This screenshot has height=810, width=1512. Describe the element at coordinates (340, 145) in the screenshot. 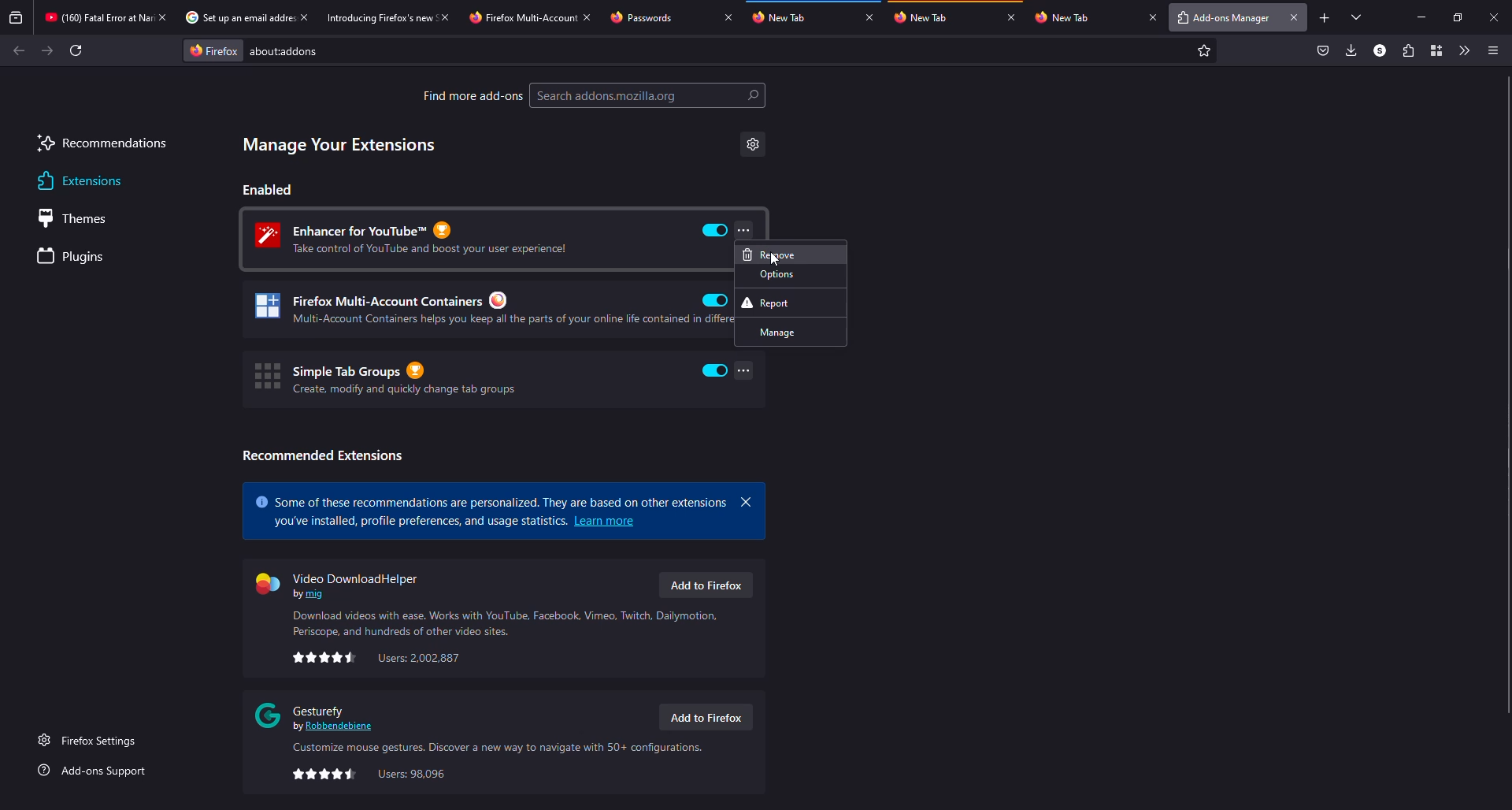

I see `manage` at that location.